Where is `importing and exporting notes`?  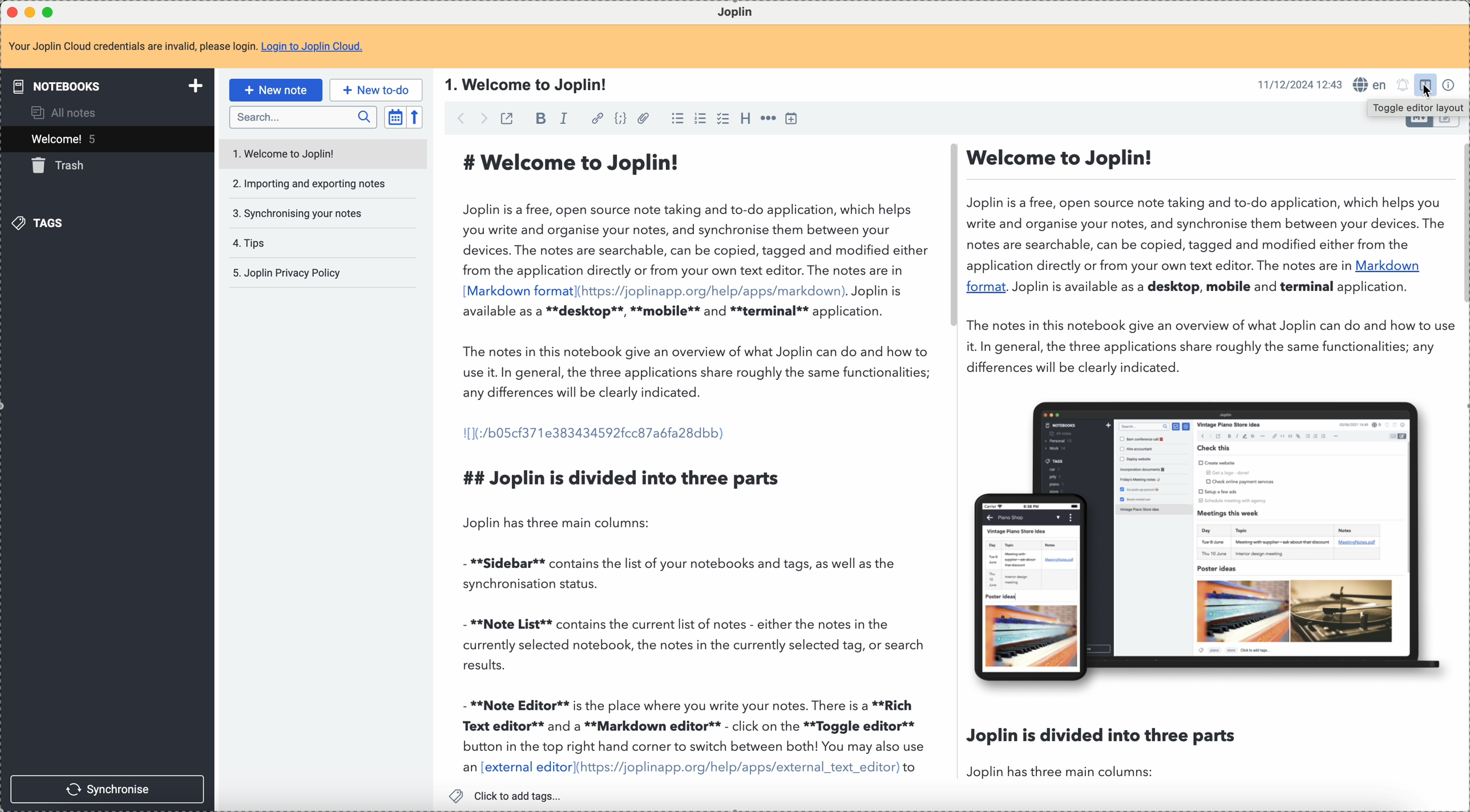
importing and exporting notes is located at coordinates (308, 184).